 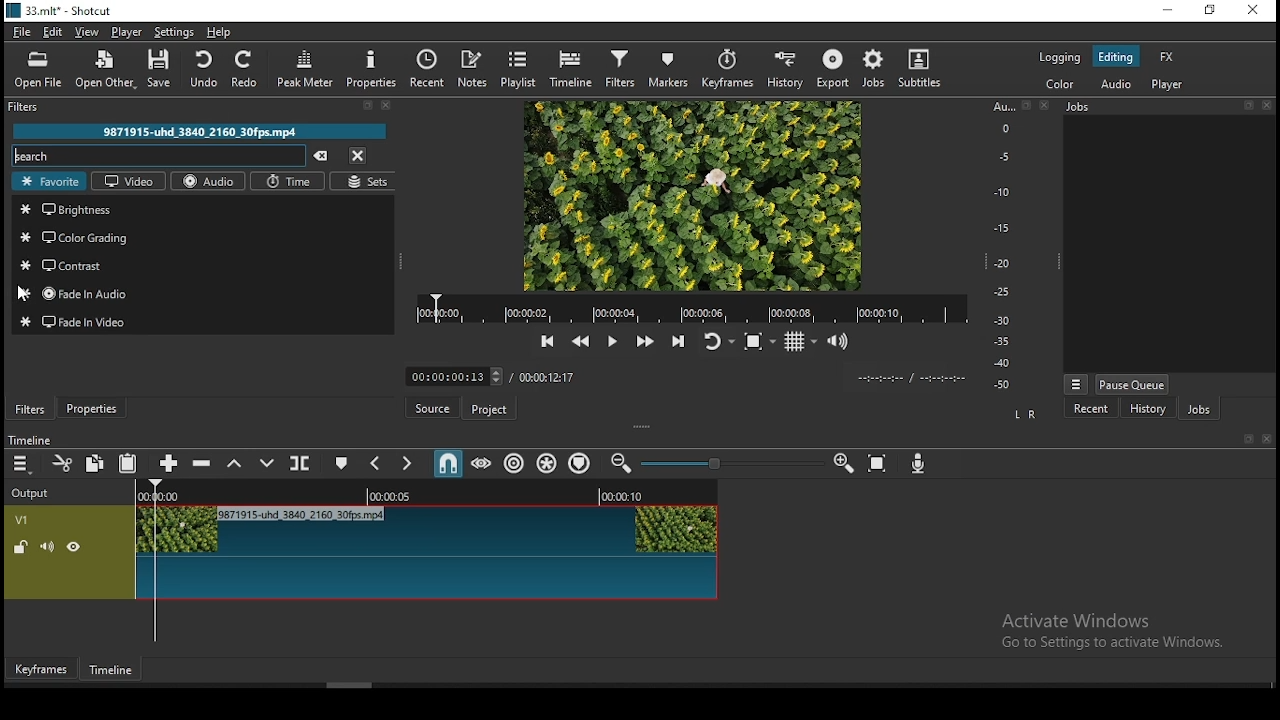 What do you see at coordinates (159, 155) in the screenshot?
I see `search filters` at bounding box center [159, 155].